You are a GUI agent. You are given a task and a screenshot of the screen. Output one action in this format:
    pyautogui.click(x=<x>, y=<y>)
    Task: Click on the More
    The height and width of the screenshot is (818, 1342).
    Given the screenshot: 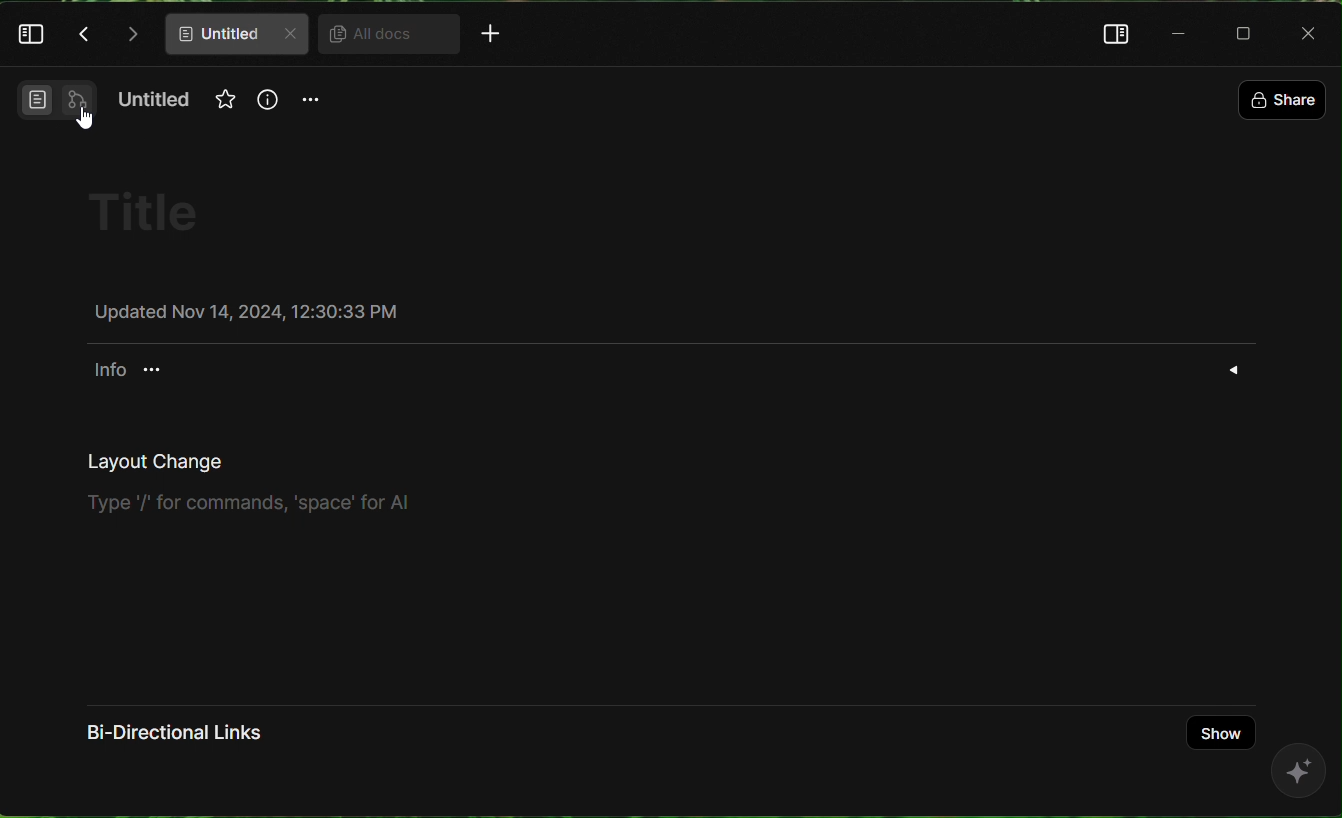 What is the action you would take?
    pyautogui.click(x=490, y=36)
    